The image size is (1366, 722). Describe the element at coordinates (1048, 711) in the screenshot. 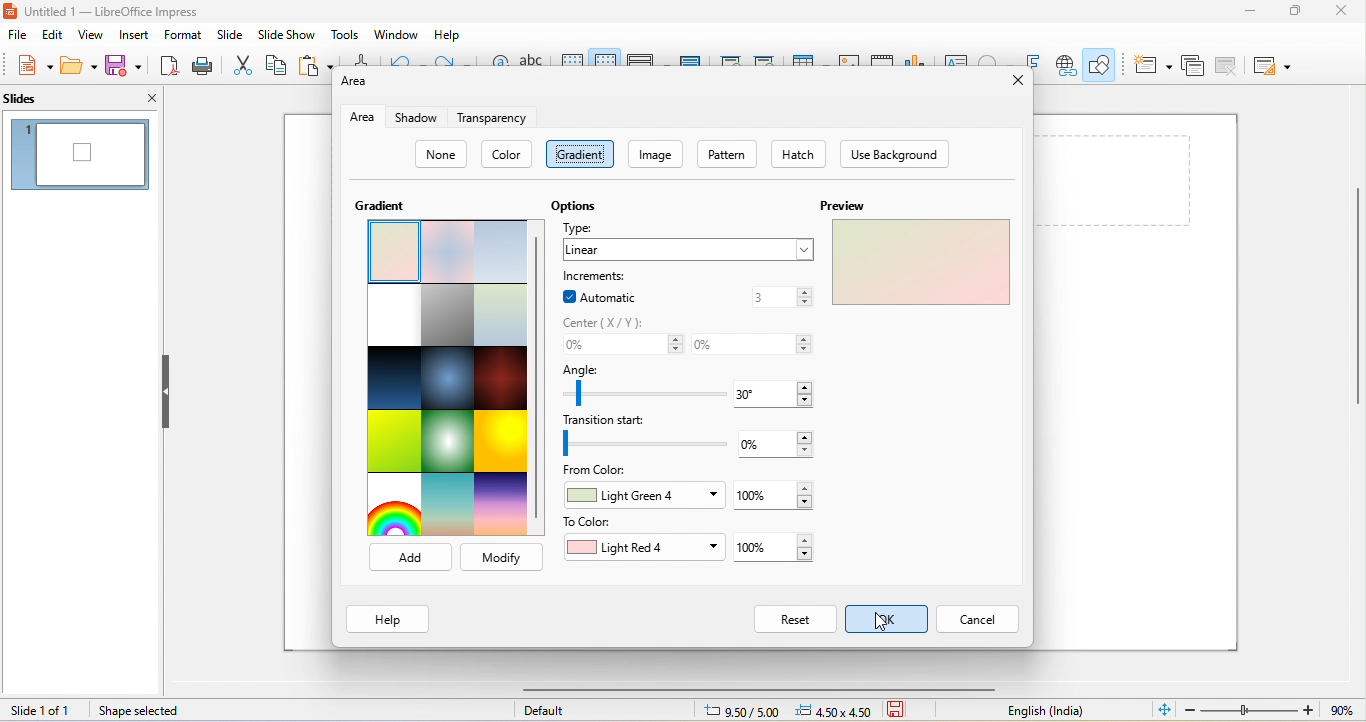

I see `english` at that location.